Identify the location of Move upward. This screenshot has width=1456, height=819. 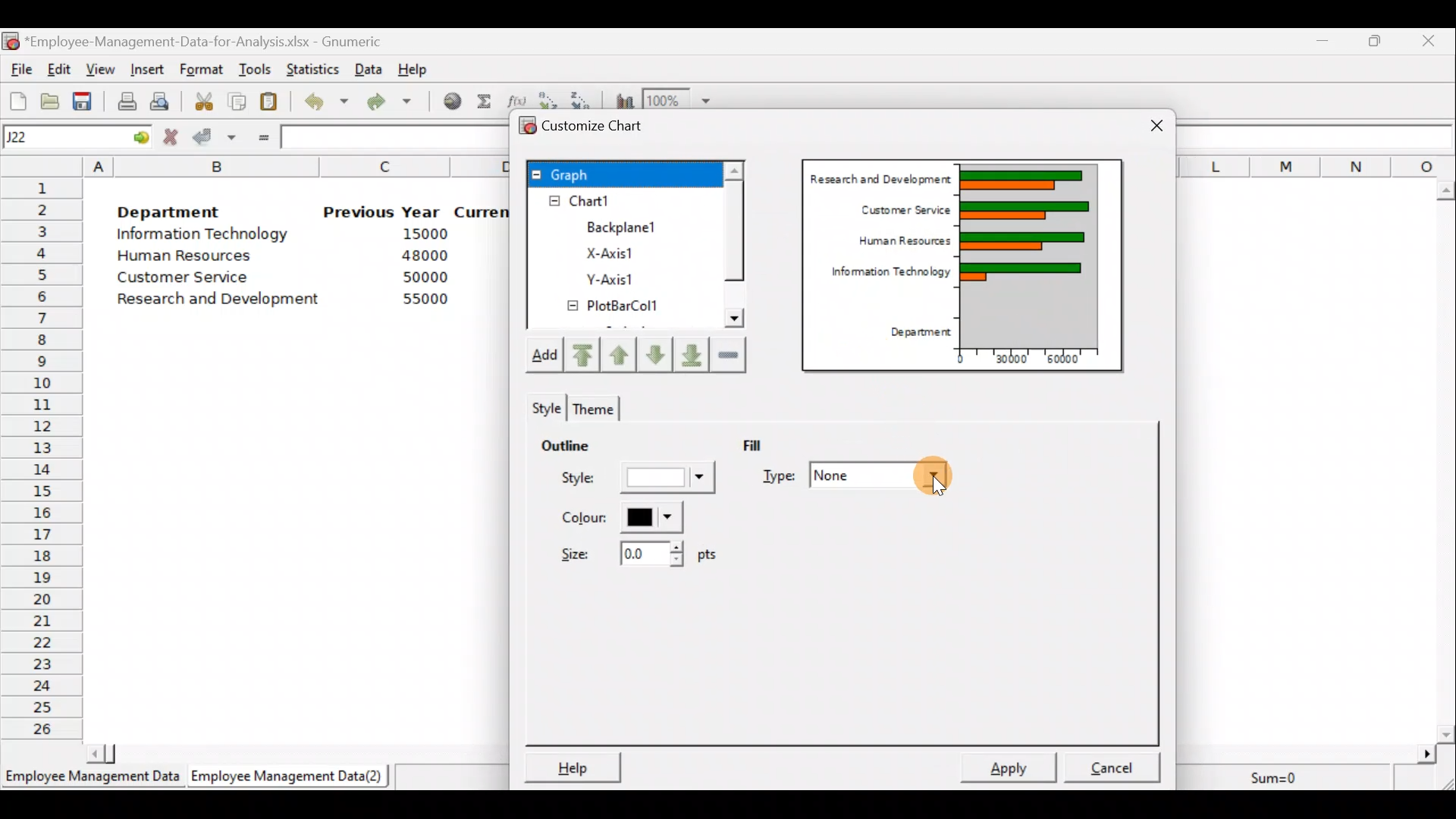
(587, 354).